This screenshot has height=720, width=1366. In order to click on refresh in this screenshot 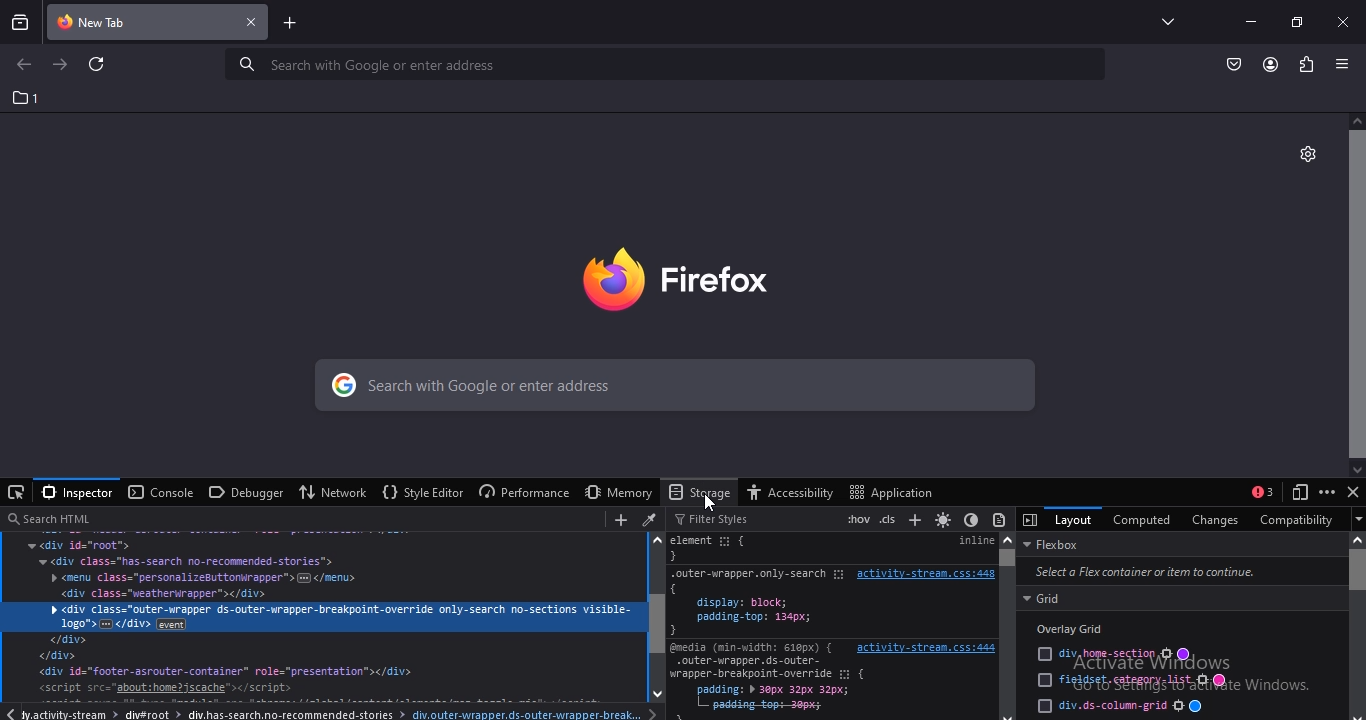, I will do `click(98, 66)`.